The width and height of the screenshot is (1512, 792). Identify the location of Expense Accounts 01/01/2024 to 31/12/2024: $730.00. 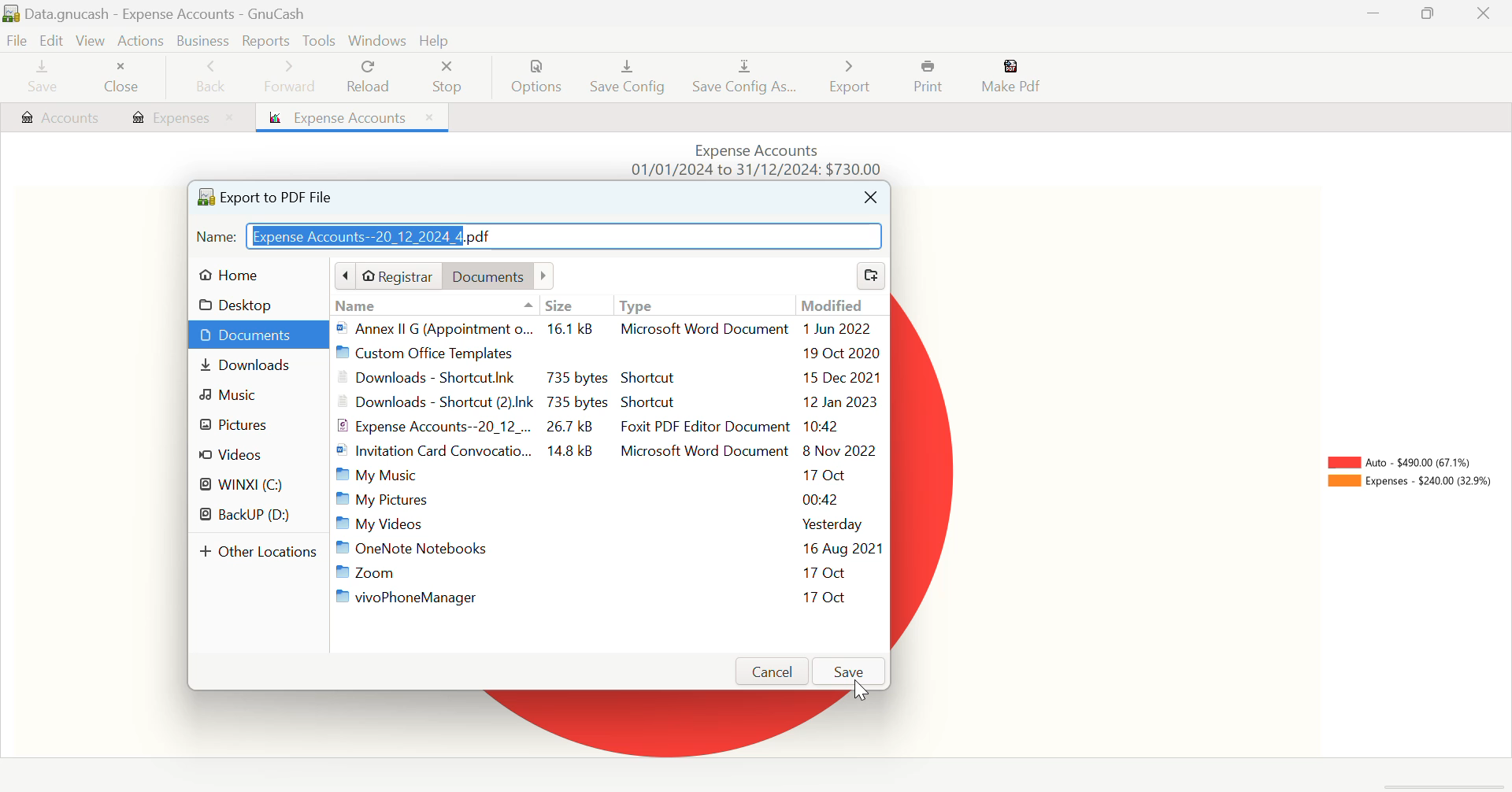
(765, 158).